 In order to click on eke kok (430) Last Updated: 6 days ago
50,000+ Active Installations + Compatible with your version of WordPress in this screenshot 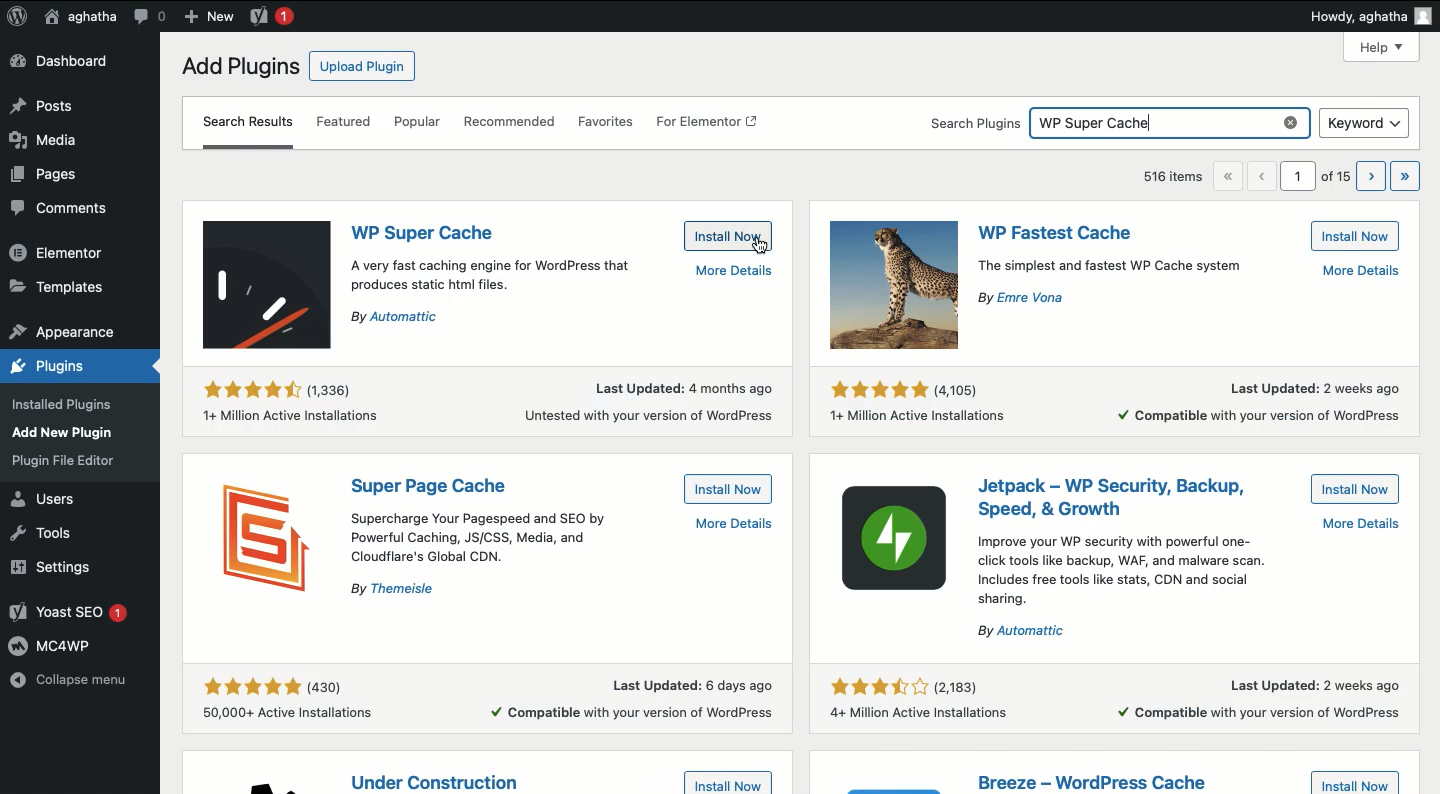, I will do `click(486, 696)`.